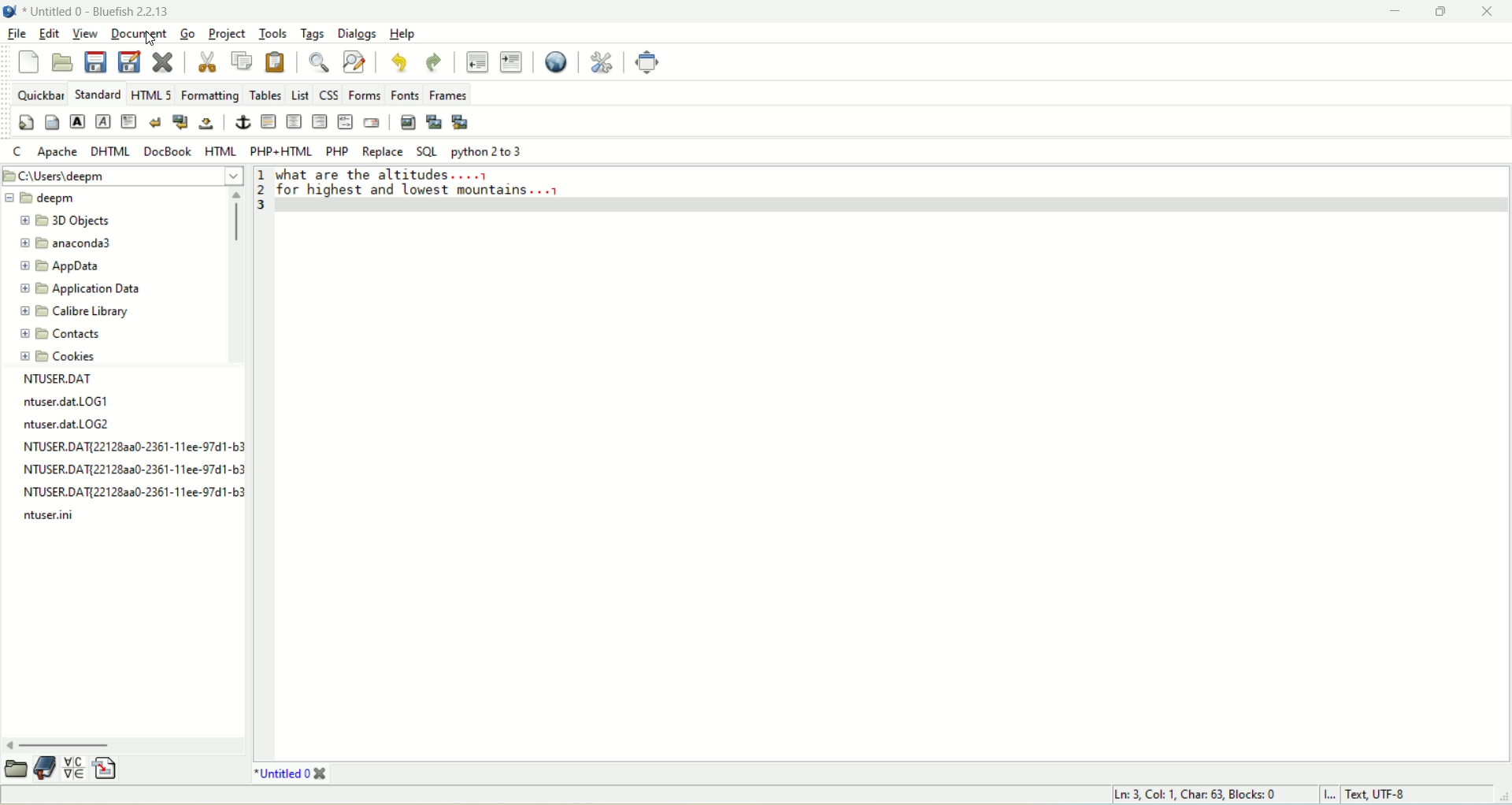 The width and height of the screenshot is (1512, 805). What do you see at coordinates (487, 153) in the screenshot?
I see `python 2 to 3` at bounding box center [487, 153].